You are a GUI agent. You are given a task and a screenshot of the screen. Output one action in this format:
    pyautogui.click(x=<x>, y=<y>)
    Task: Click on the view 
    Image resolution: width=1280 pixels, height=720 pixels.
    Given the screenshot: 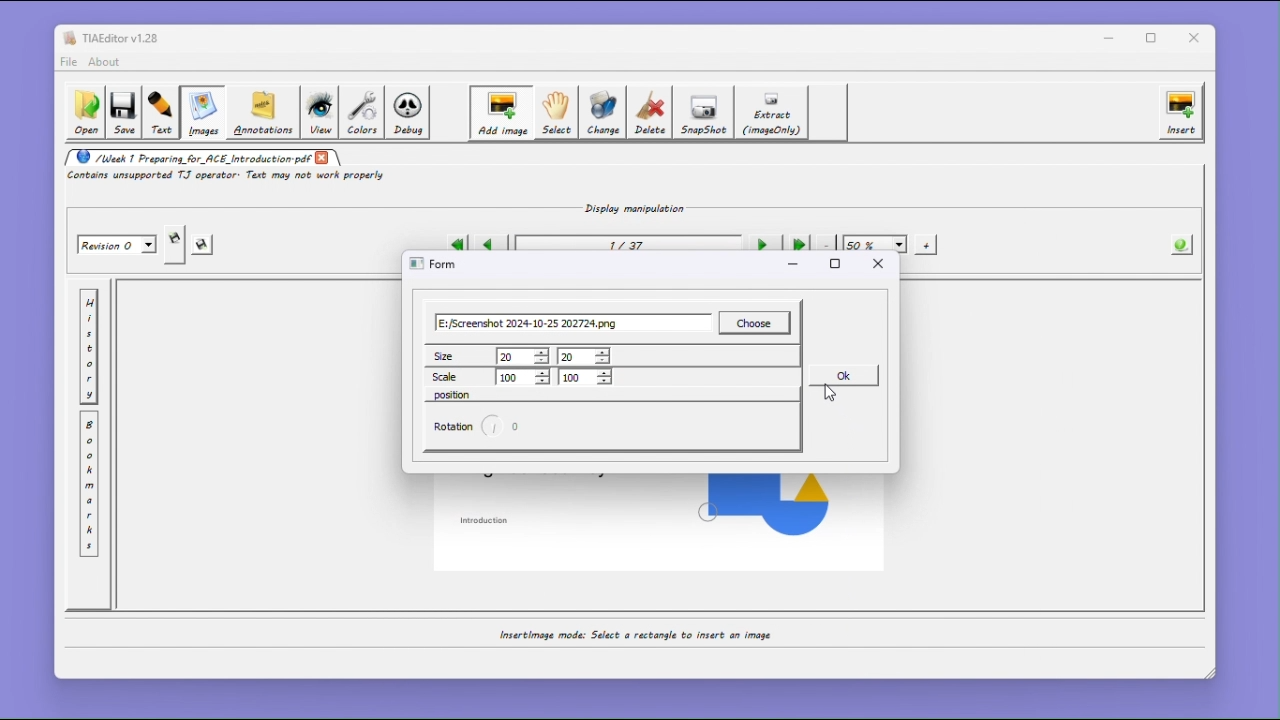 What is the action you would take?
    pyautogui.click(x=319, y=113)
    